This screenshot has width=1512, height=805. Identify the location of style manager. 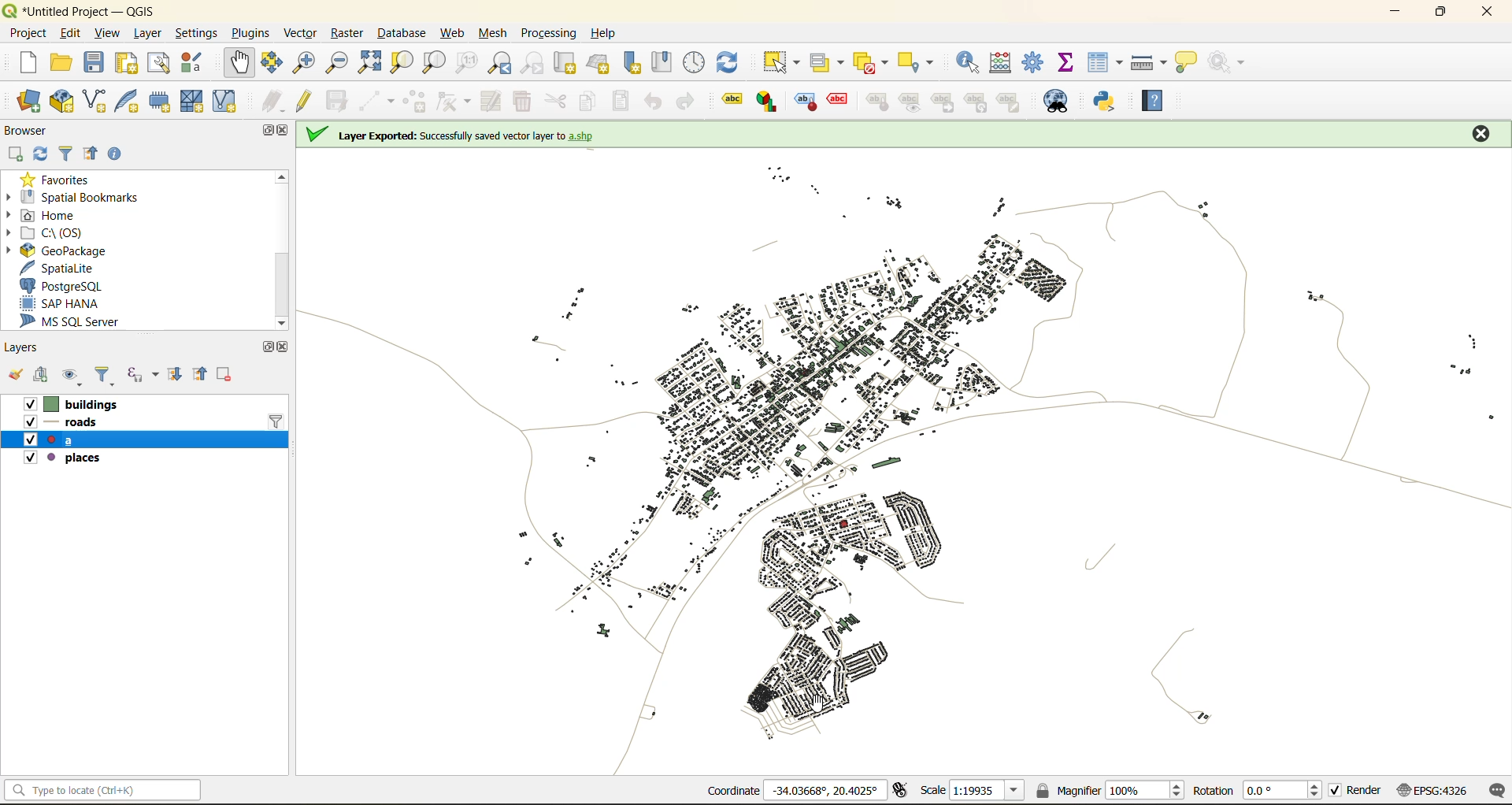
(198, 65).